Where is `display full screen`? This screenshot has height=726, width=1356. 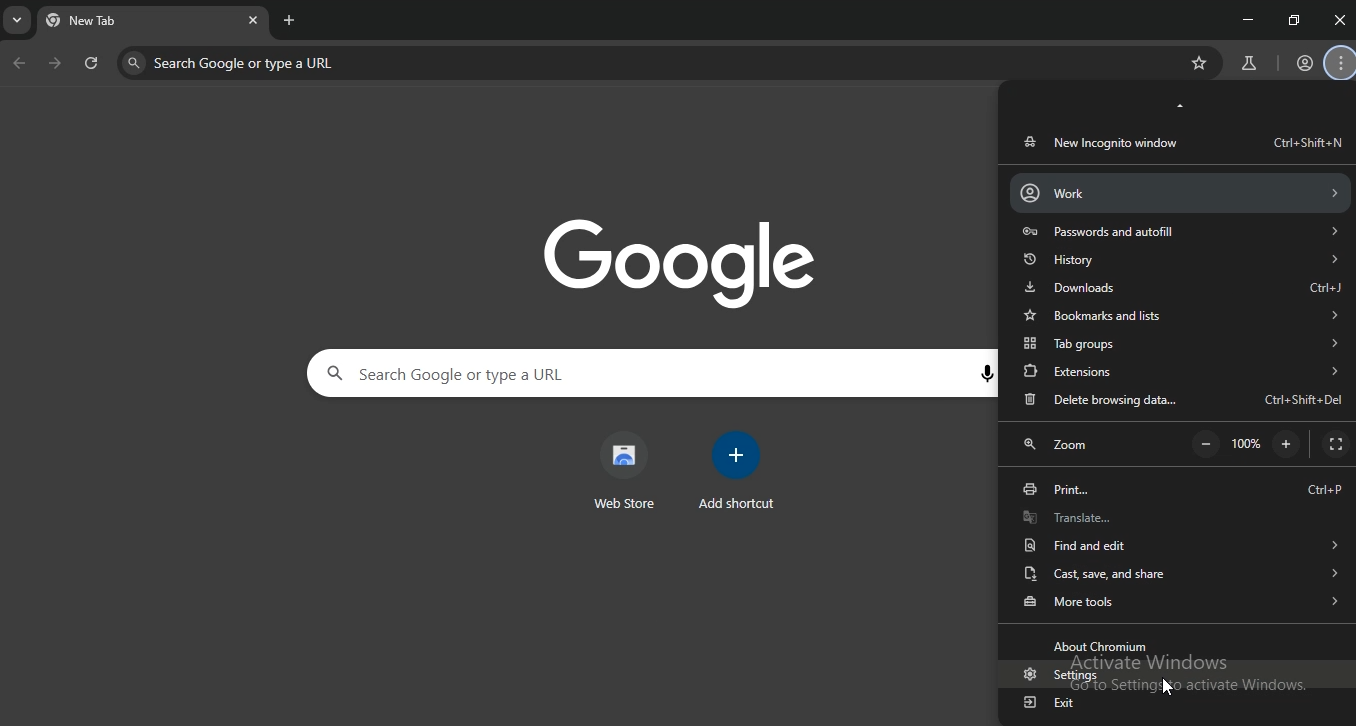 display full screen is located at coordinates (1335, 445).